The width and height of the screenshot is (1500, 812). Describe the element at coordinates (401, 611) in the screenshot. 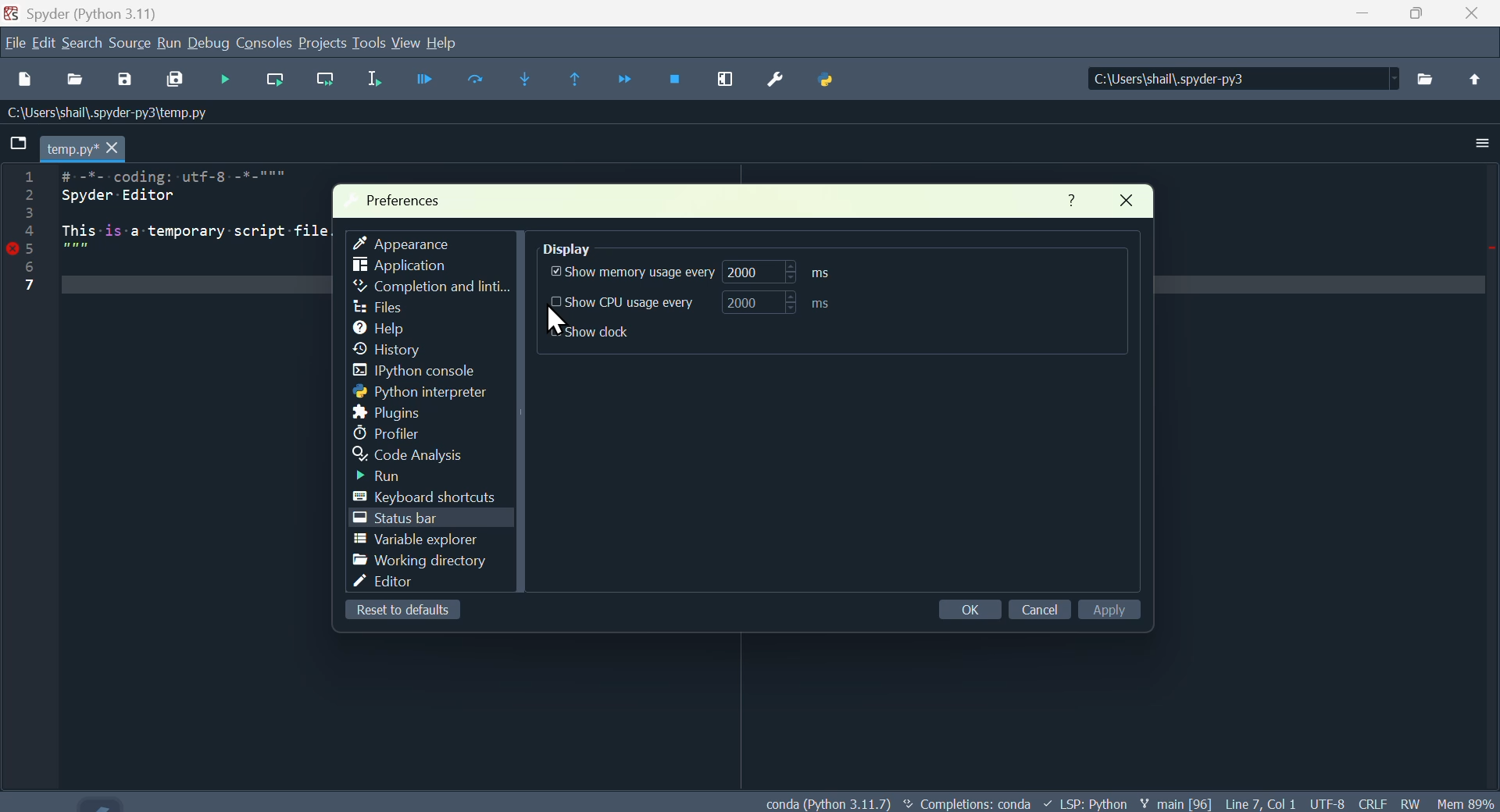

I see `Reset to default` at that location.